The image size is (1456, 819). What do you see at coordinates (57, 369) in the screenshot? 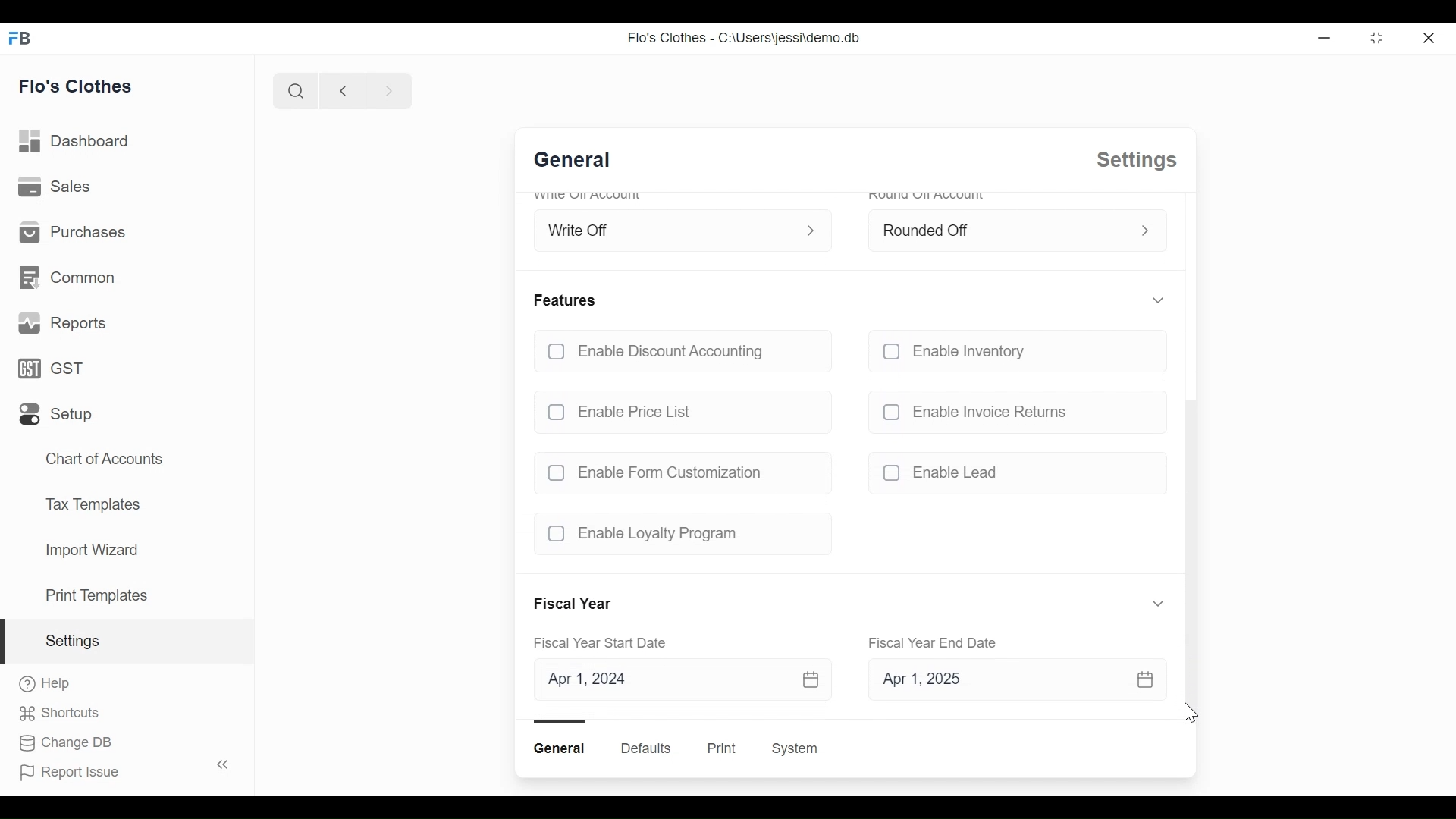
I see `GST` at bounding box center [57, 369].